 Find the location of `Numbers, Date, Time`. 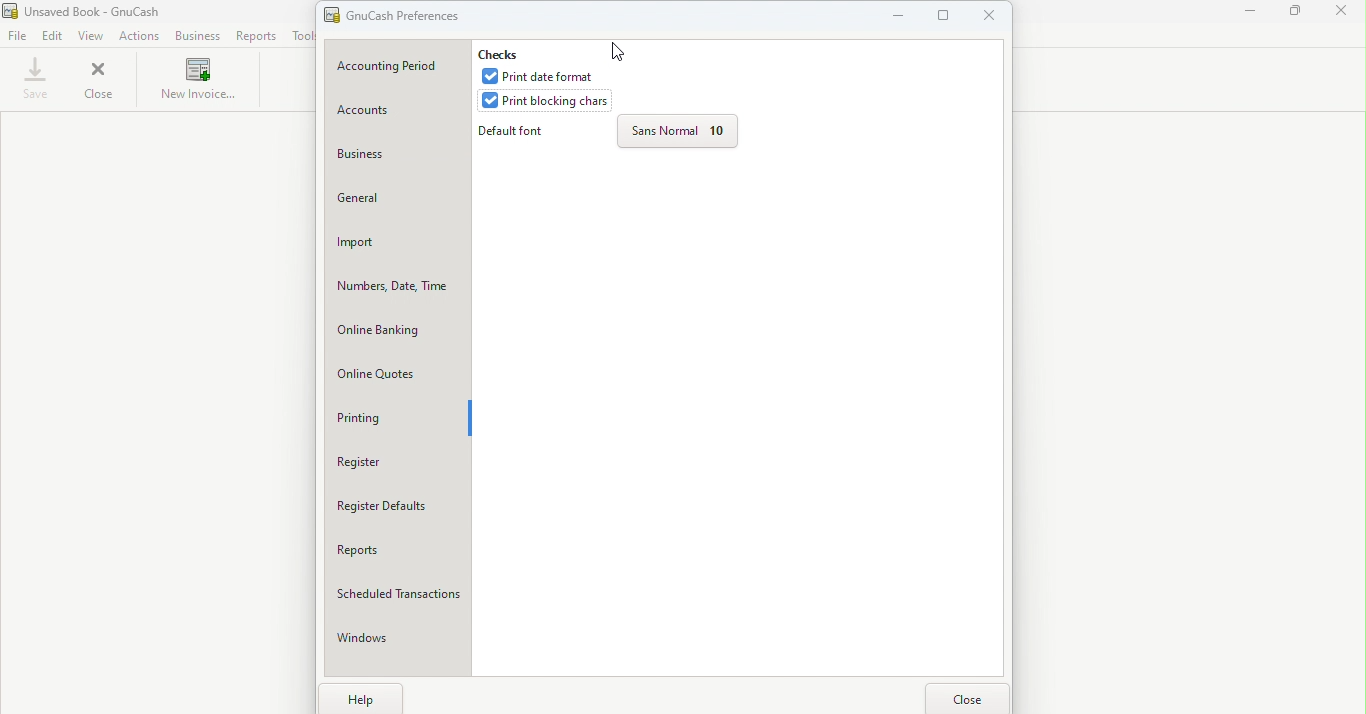

Numbers, Date, Time is located at coordinates (398, 284).